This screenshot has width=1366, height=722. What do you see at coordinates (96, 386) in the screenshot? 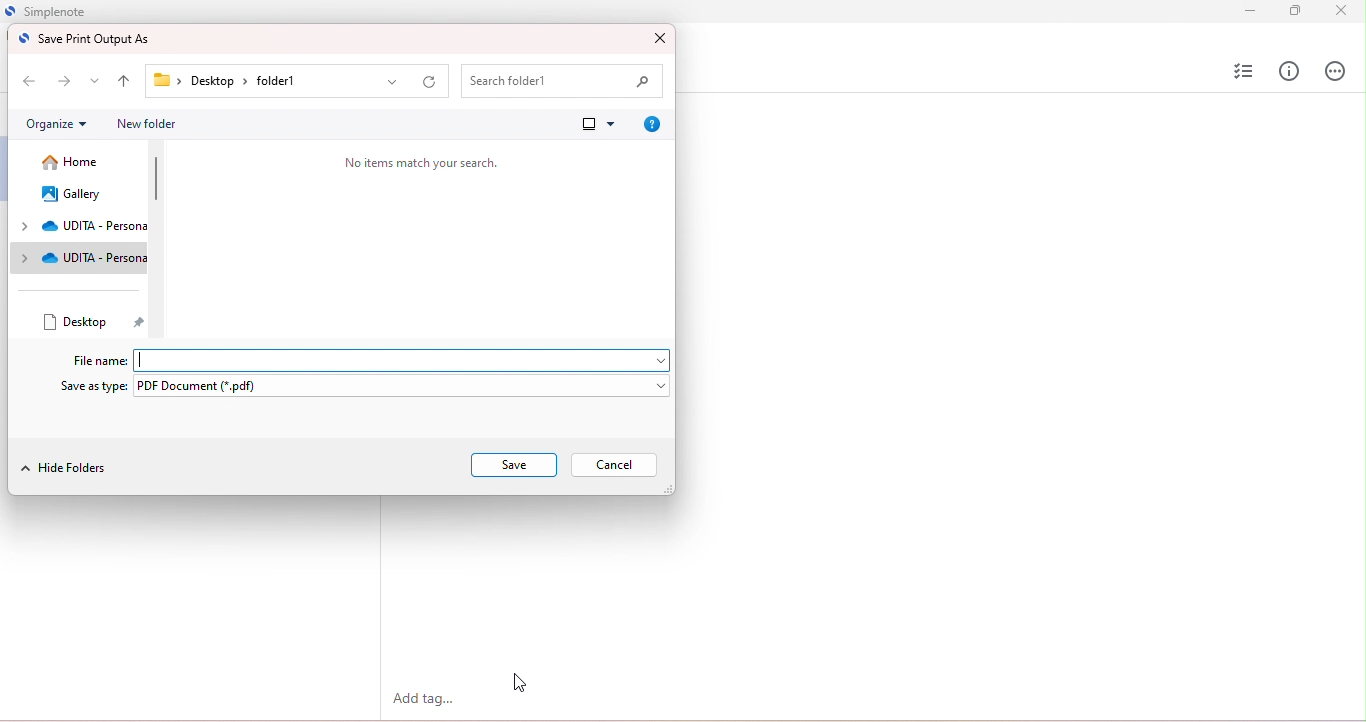
I see `save as type` at bounding box center [96, 386].